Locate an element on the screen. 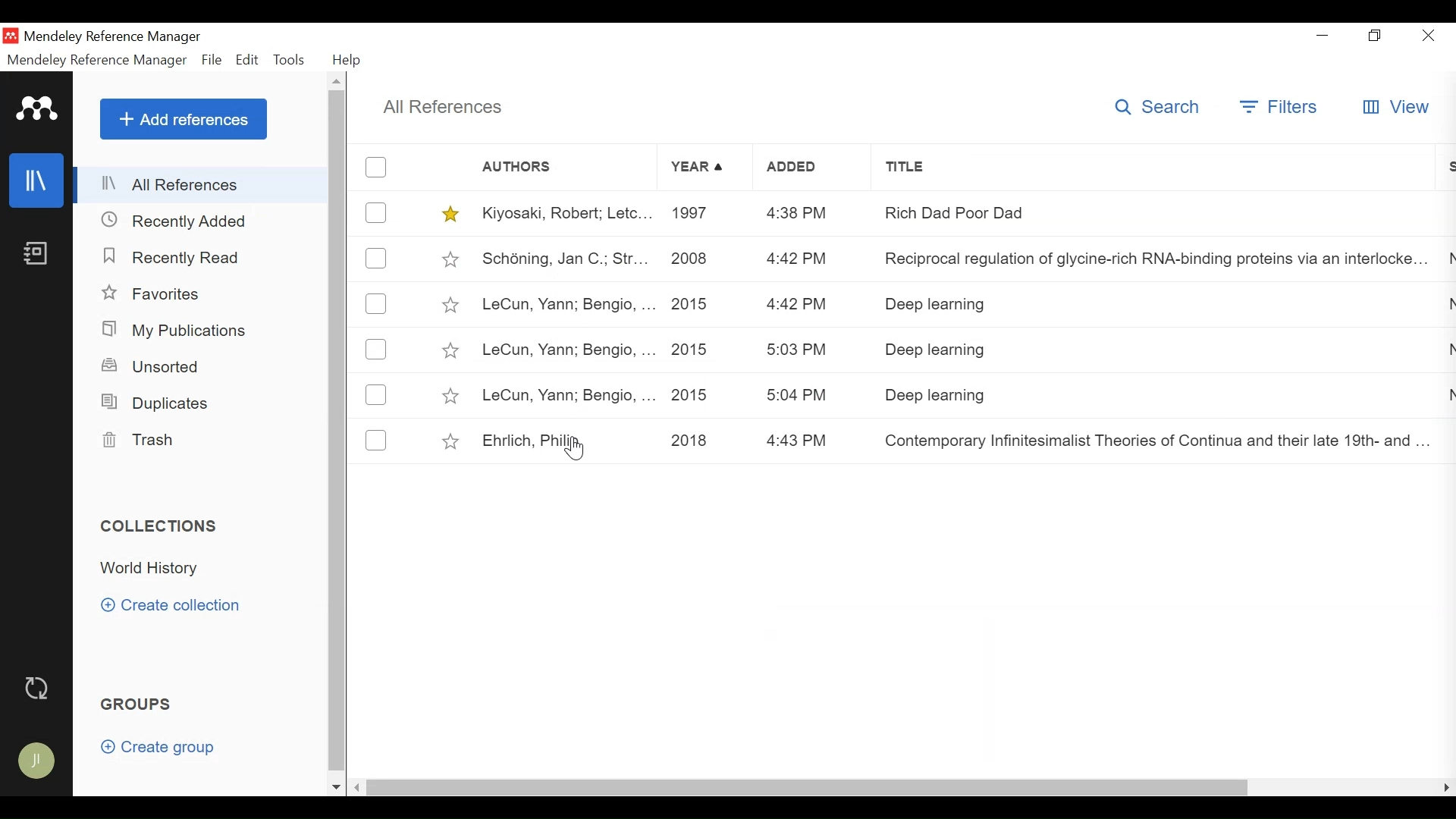 The image size is (1456, 819). (un)select is located at coordinates (378, 304).